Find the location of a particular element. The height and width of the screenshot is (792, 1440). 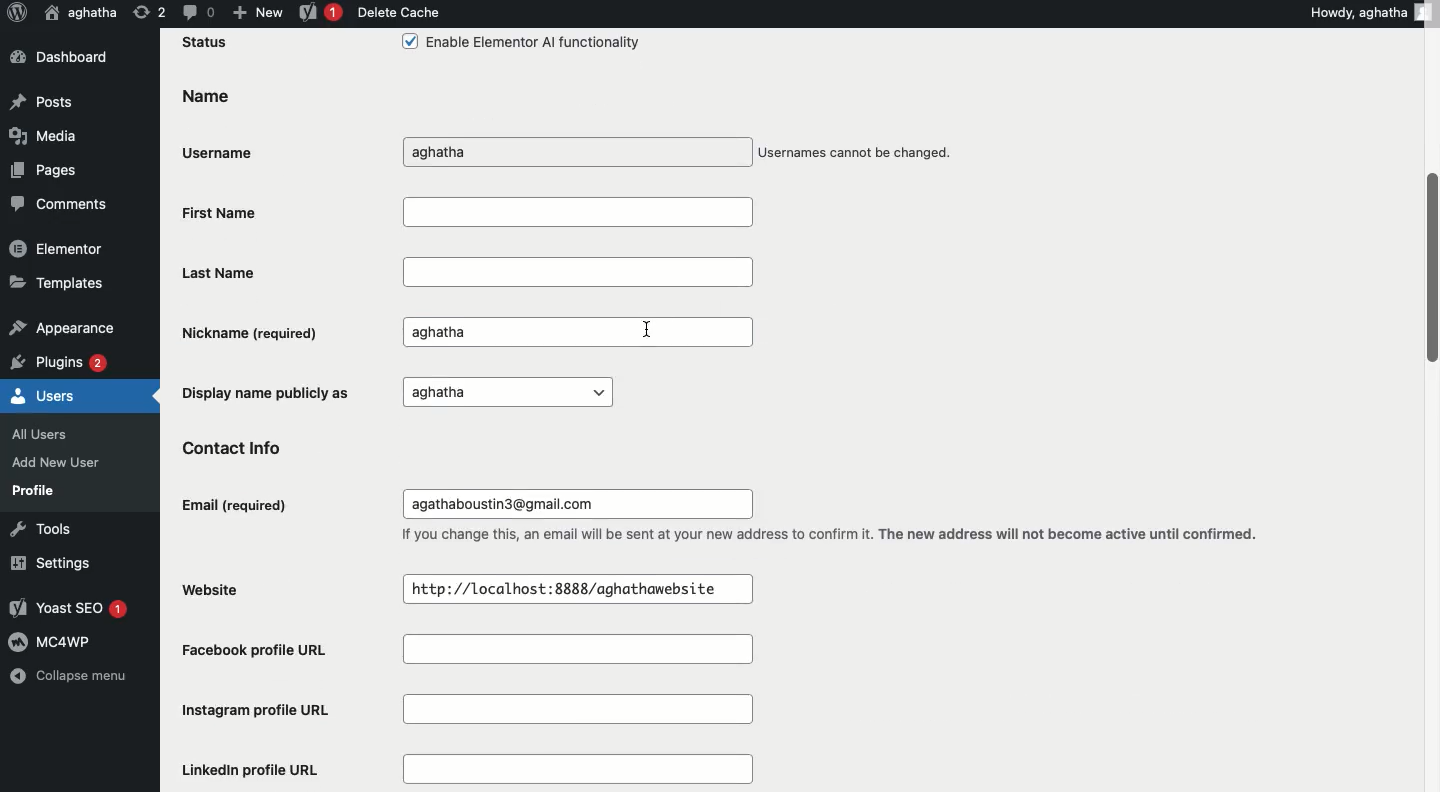

Templates is located at coordinates (58, 281).